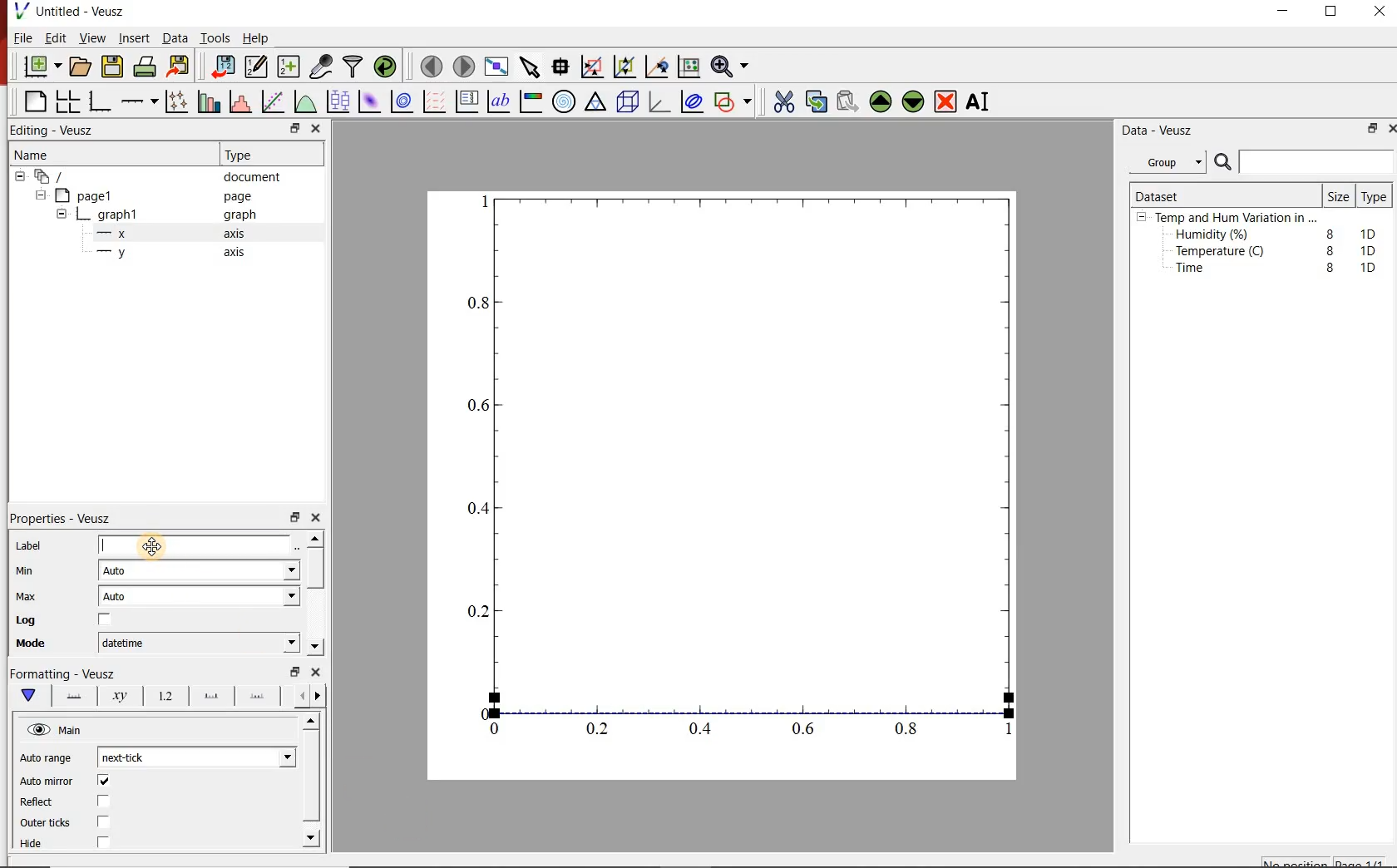 This screenshot has height=868, width=1397. I want to click on restore down, so click(294, 518).